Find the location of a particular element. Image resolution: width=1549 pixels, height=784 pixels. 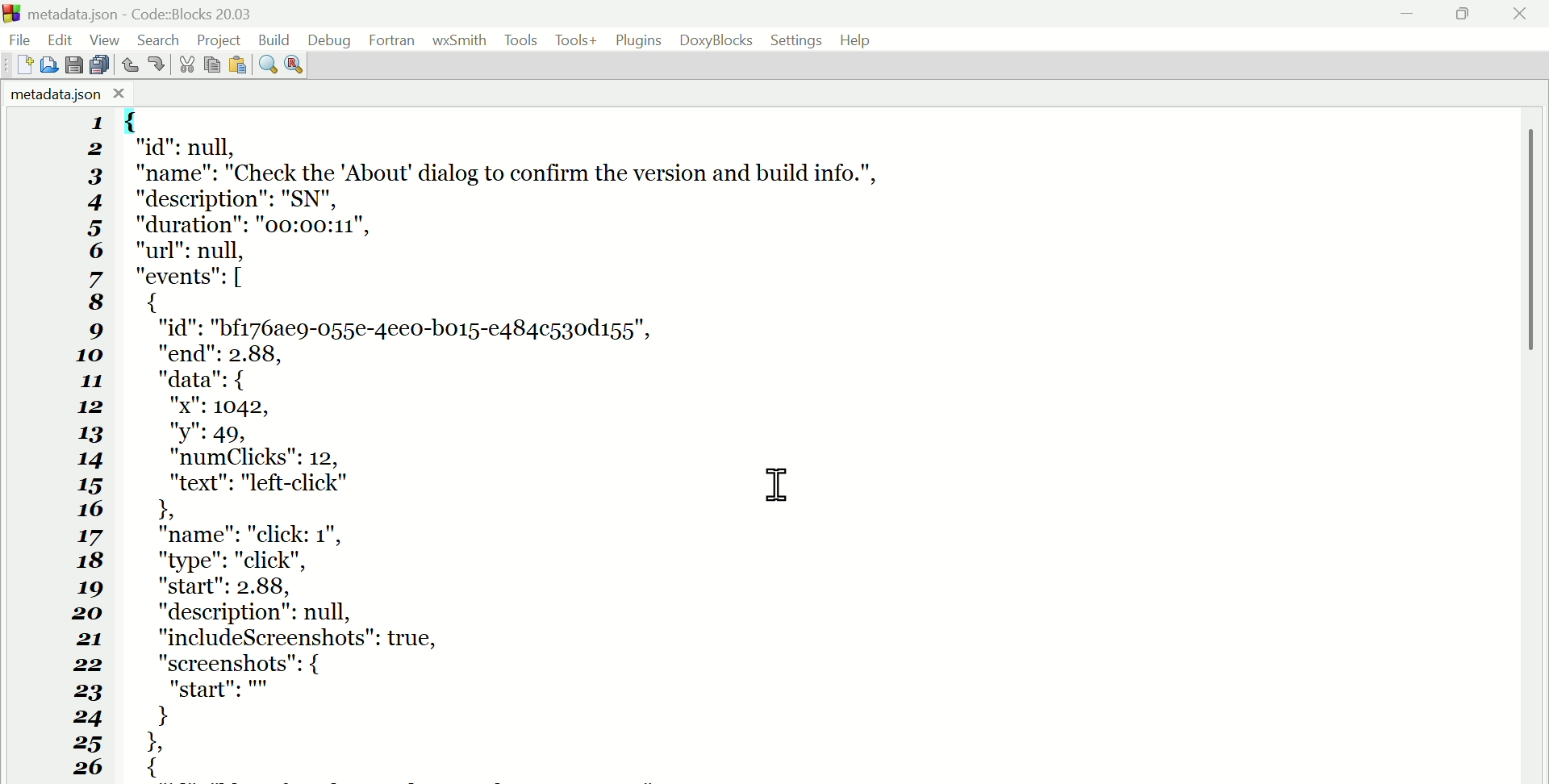

Tools is located at coordinates (575, 42).